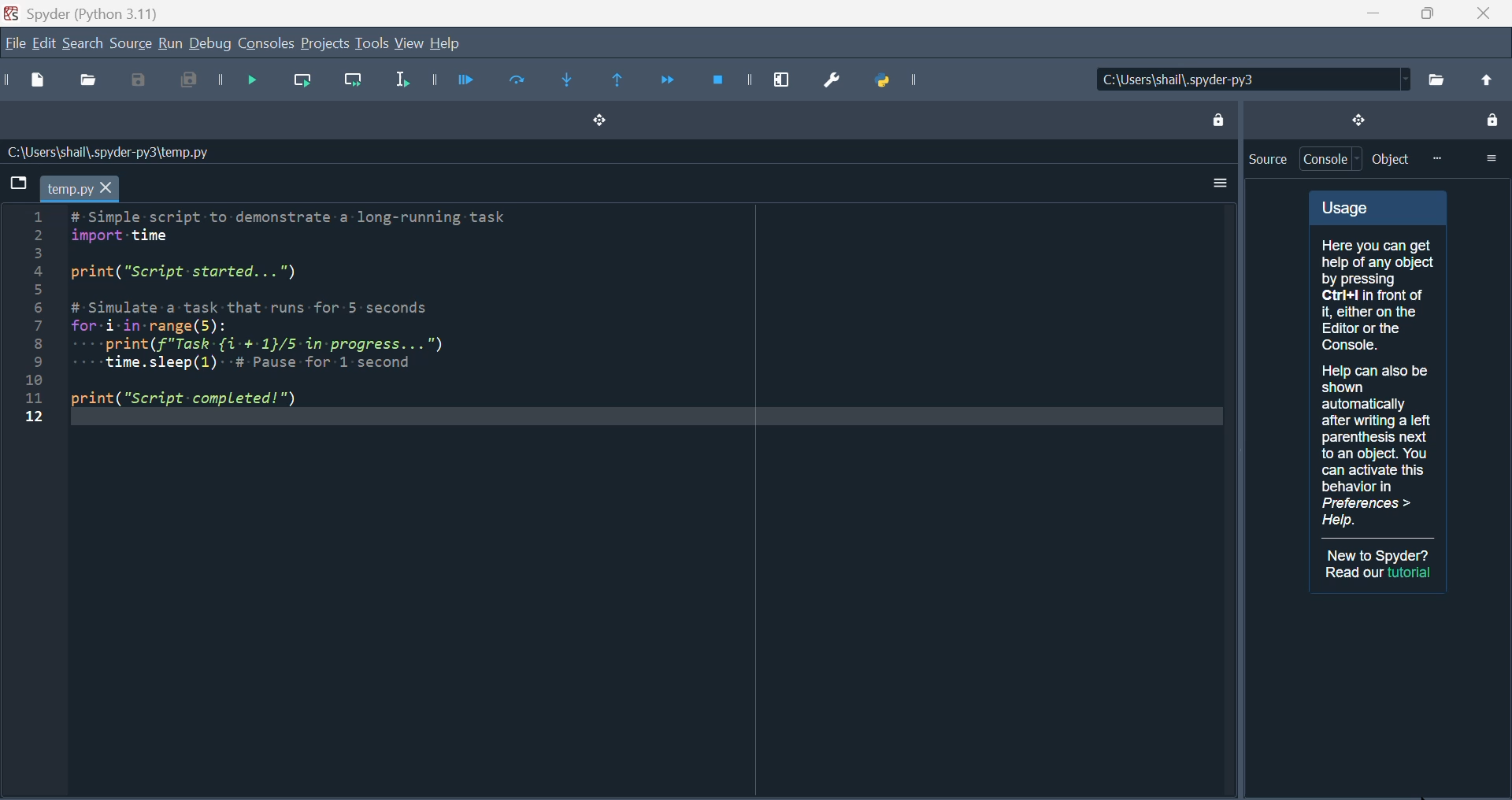  I want to click on change to parent directory, so click(1485, 80).